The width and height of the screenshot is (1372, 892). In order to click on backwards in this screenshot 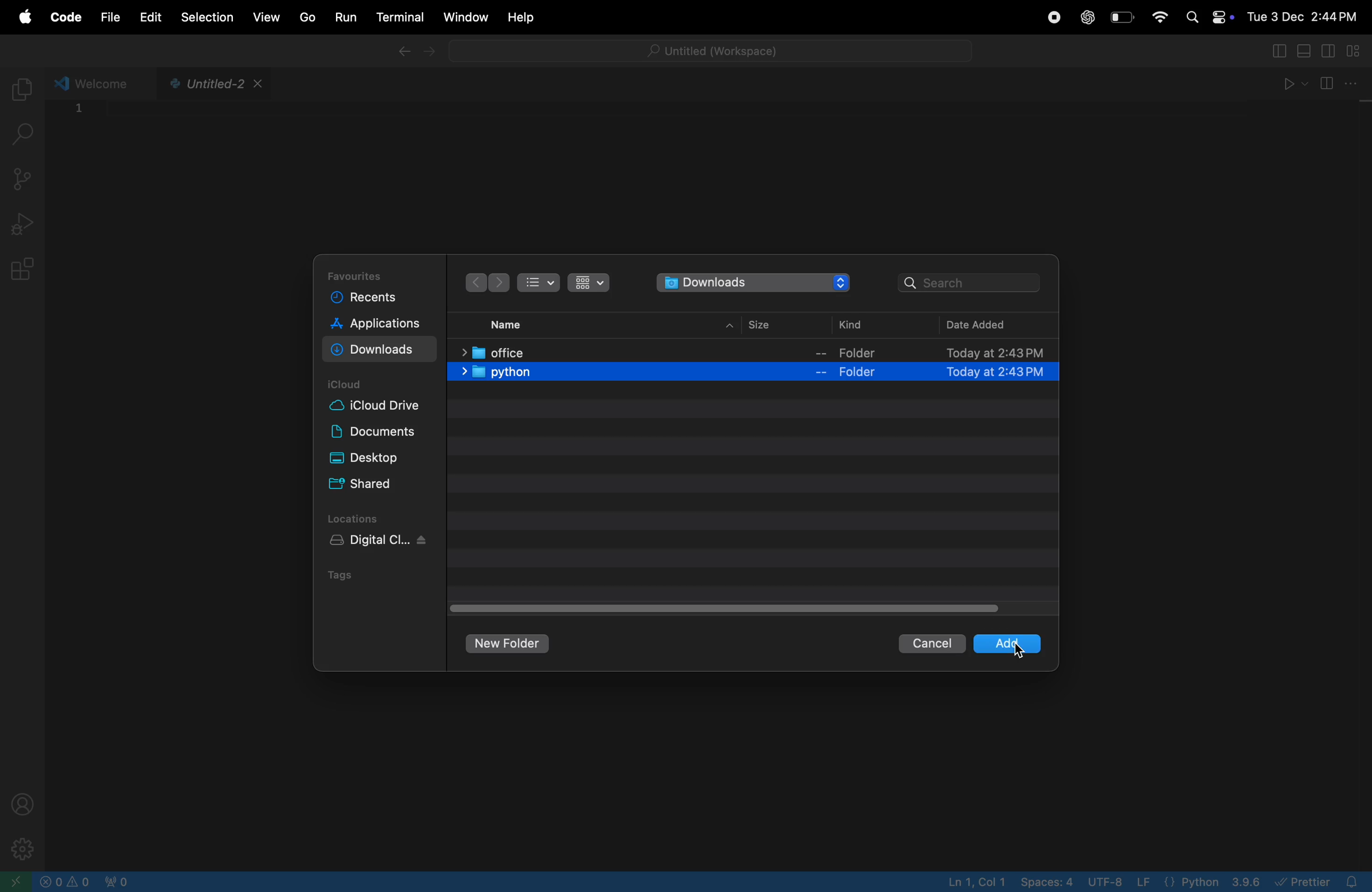, I will do `click(474, 281)`.